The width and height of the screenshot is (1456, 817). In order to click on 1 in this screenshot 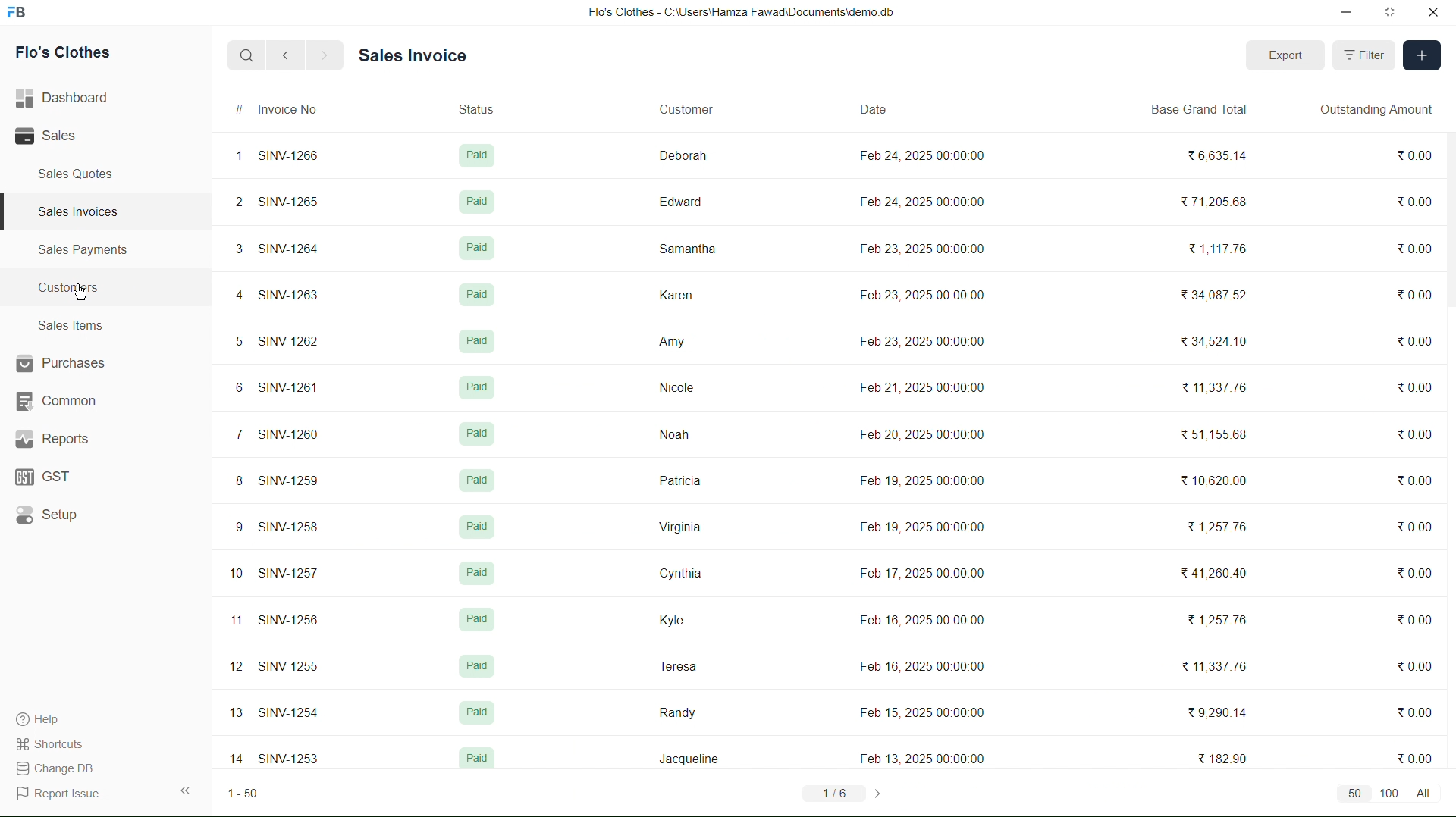, I will do `click(234, 156)`.